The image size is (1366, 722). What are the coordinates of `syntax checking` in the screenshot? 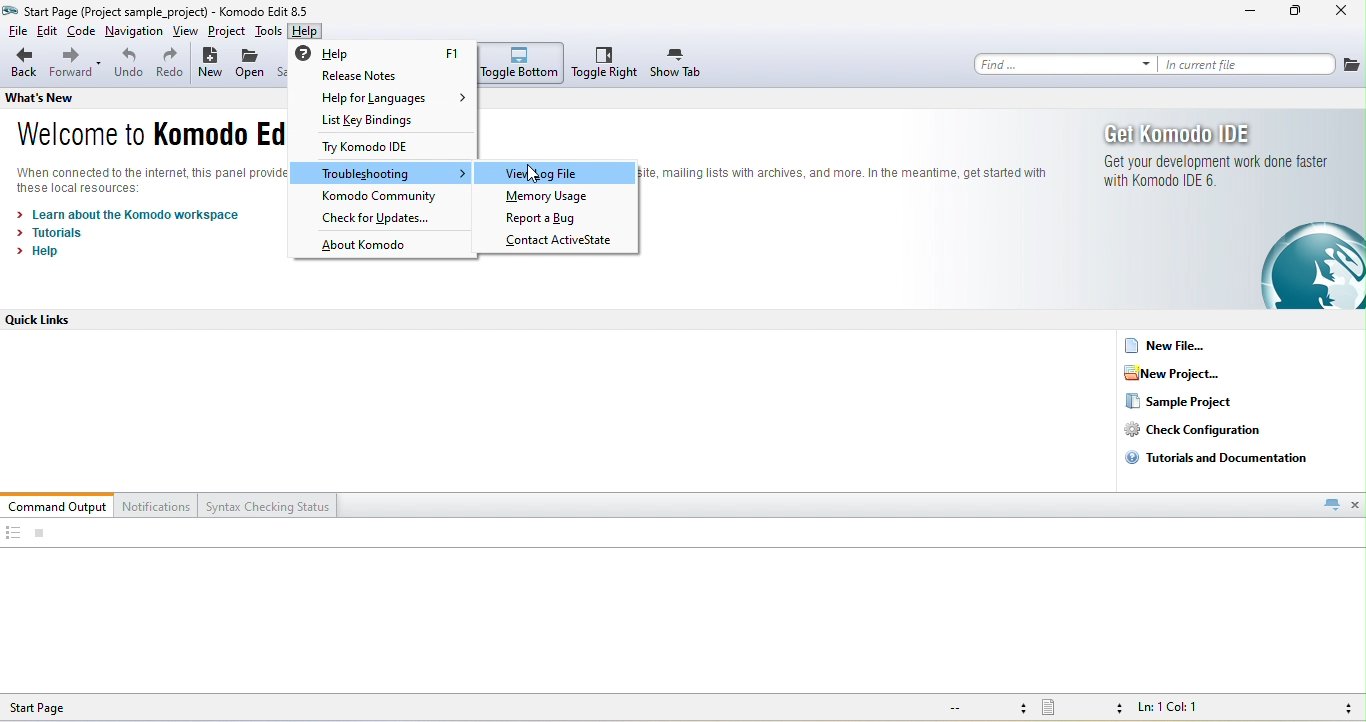 It's located at (1343, 708).